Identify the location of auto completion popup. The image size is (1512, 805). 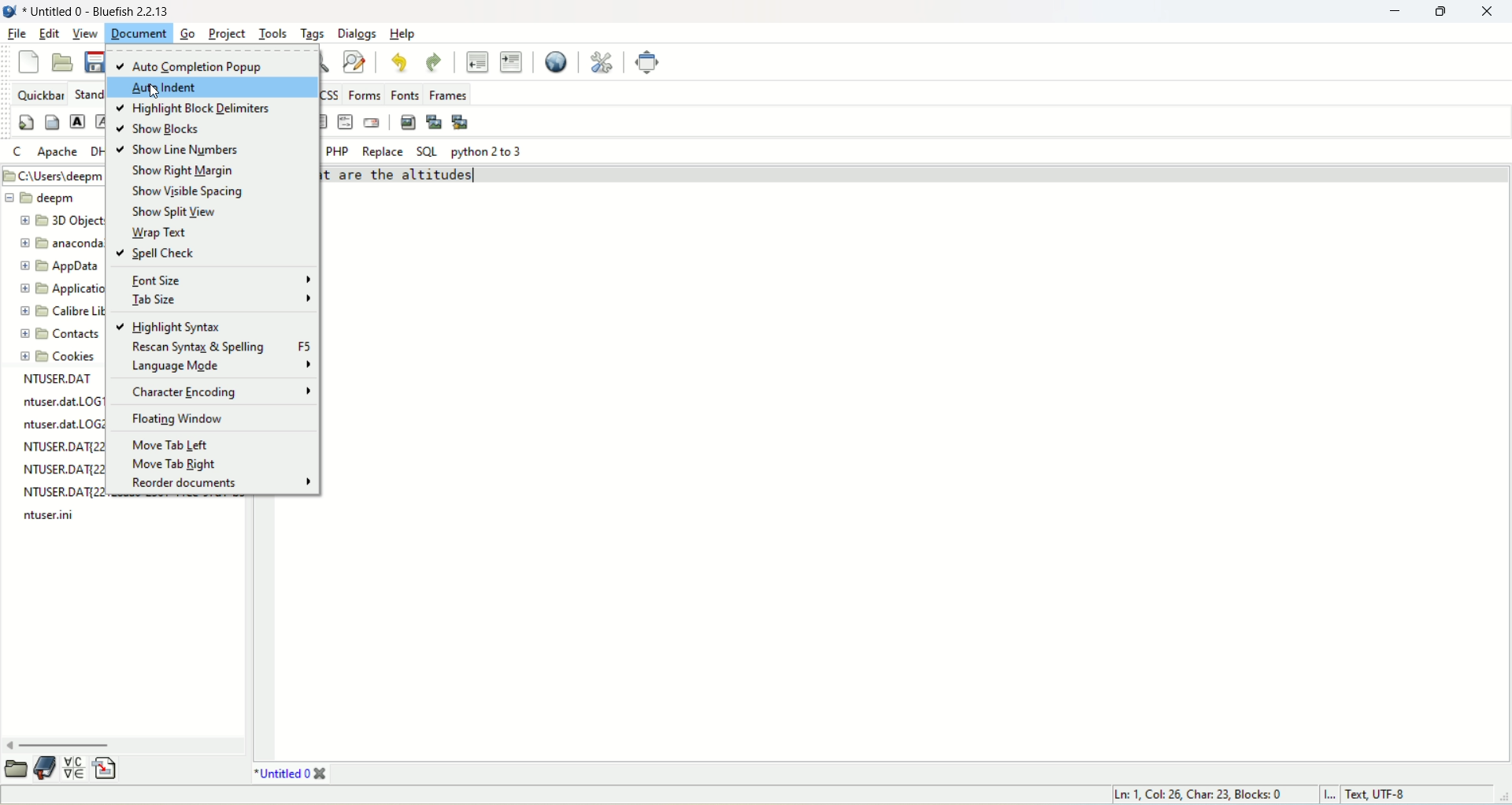
(211, 63).